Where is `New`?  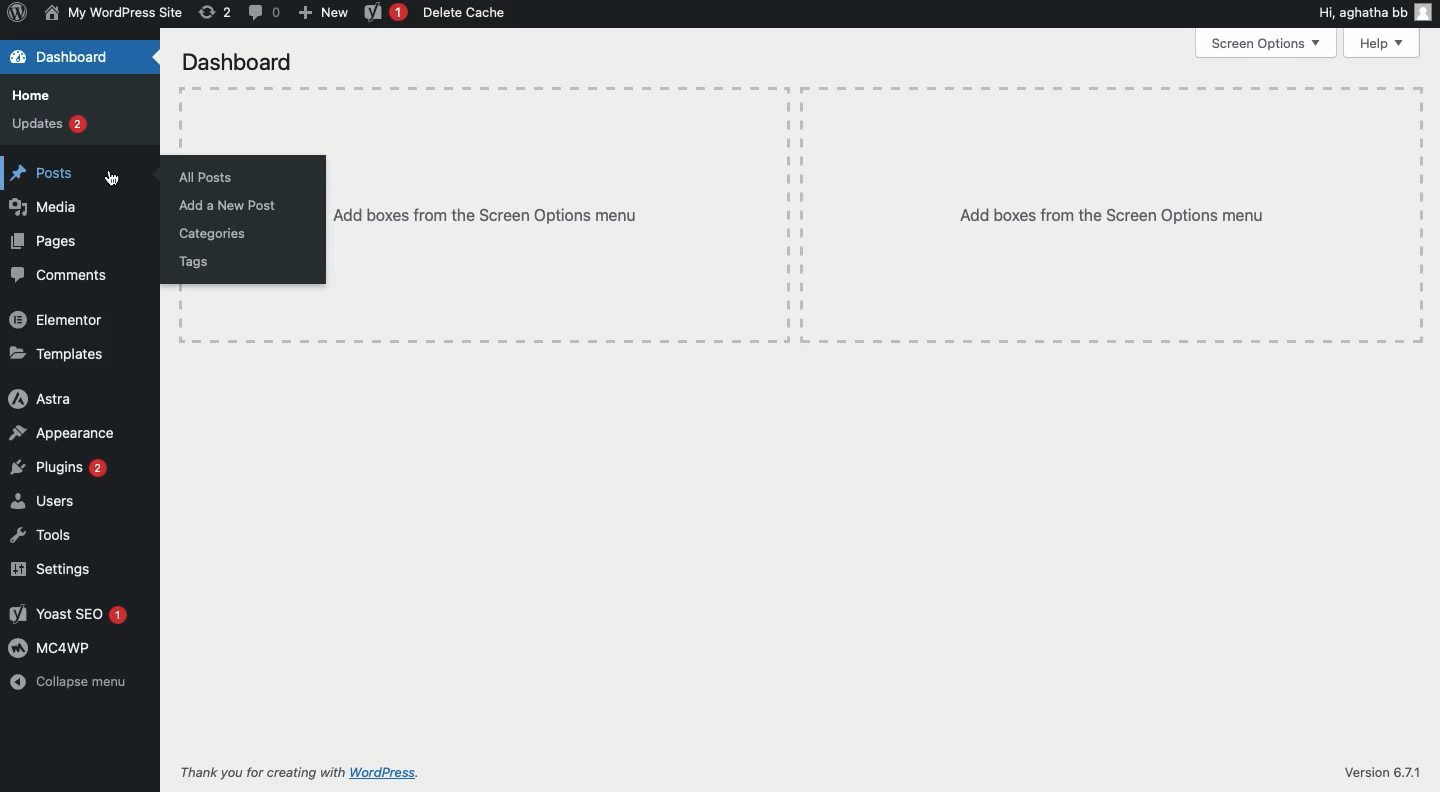 New is located at coordinates (323, 14).